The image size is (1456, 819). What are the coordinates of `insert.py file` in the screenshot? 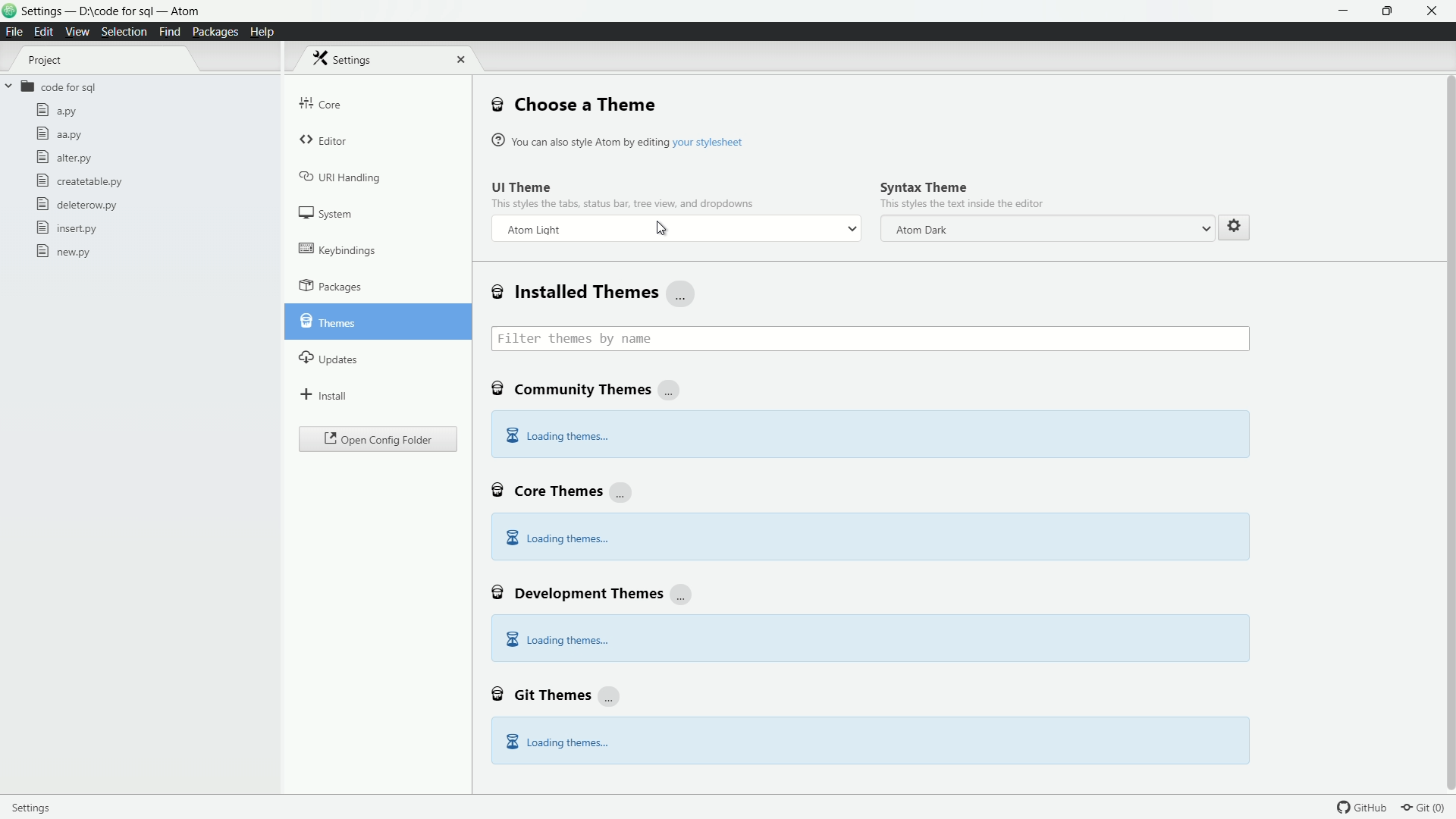 It's located at (68, 227).